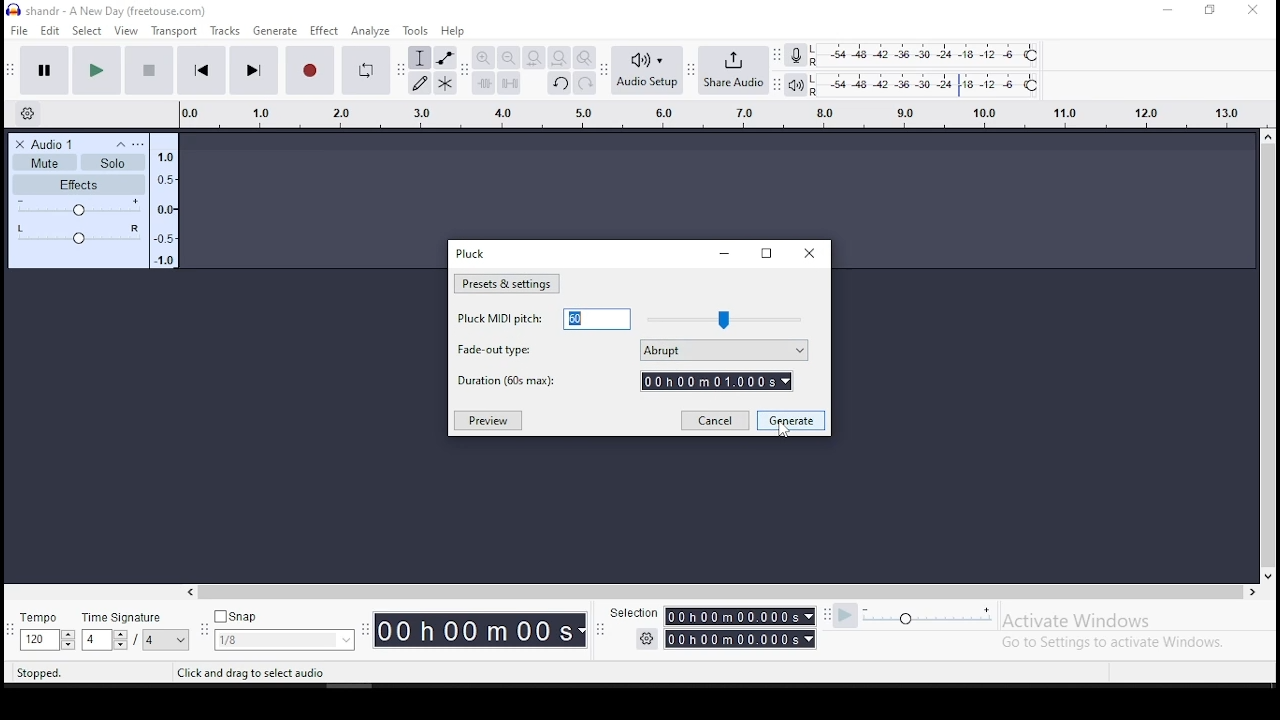 The height and width of the screenshot is (720, 1280). What do you see at coordinates (948, 616) in the screenshot?
I see `playback speed` at bounding box center [948, 616].